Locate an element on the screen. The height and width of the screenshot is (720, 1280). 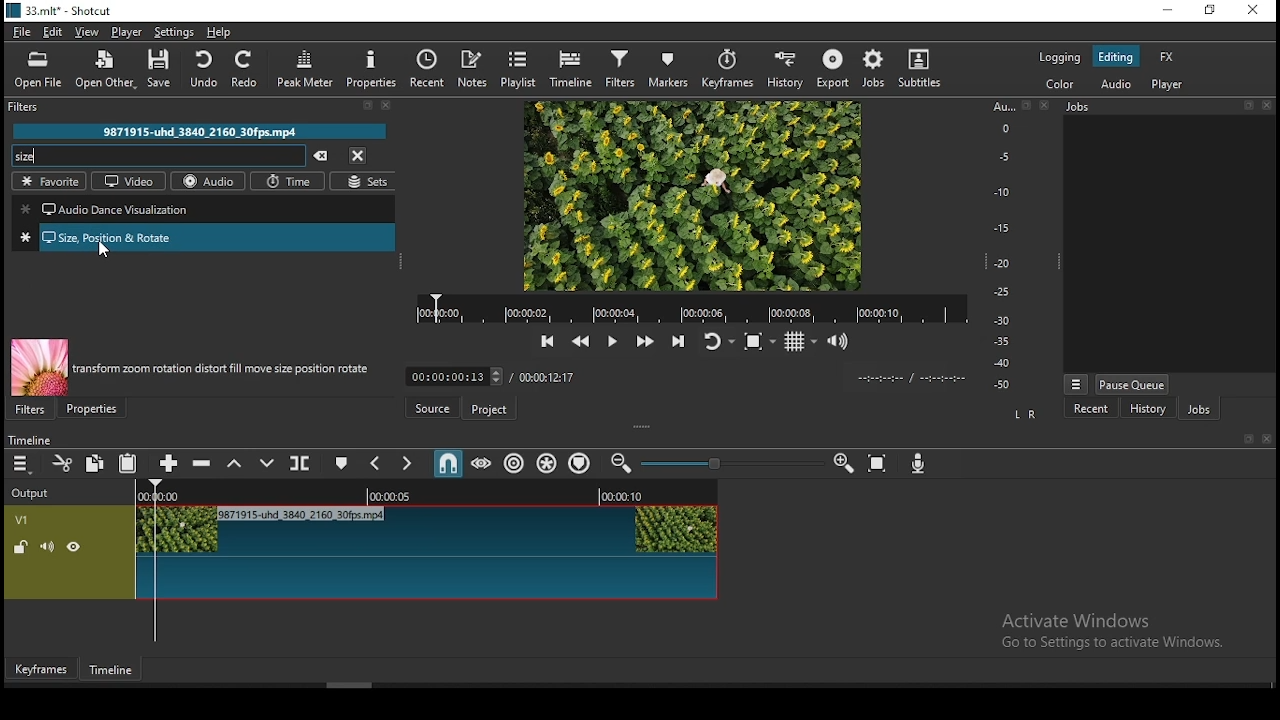
skip to the previous point is located at coordinates (547, 342).